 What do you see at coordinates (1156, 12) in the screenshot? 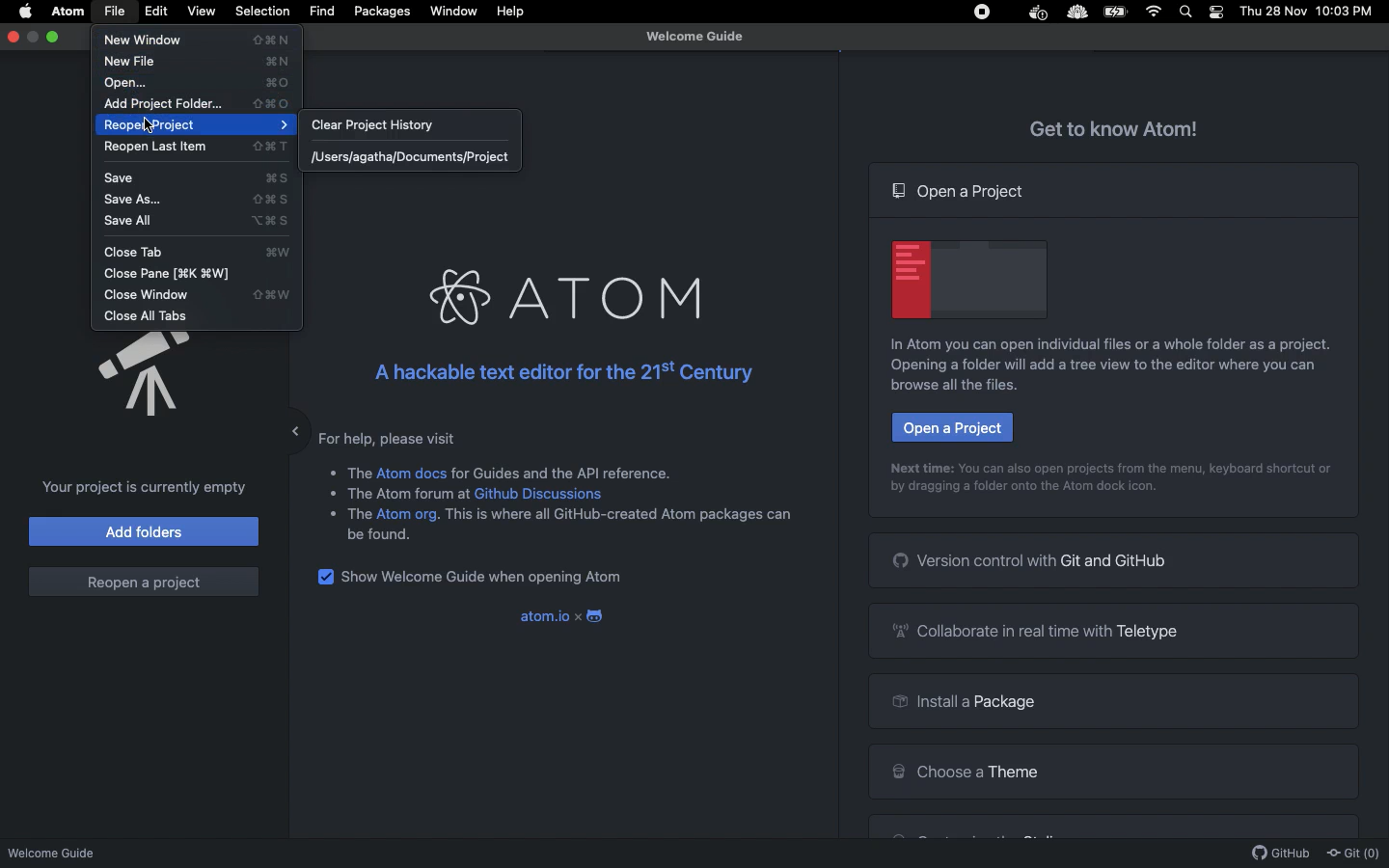
I see `Internet` at bounding box center [1156, 12].